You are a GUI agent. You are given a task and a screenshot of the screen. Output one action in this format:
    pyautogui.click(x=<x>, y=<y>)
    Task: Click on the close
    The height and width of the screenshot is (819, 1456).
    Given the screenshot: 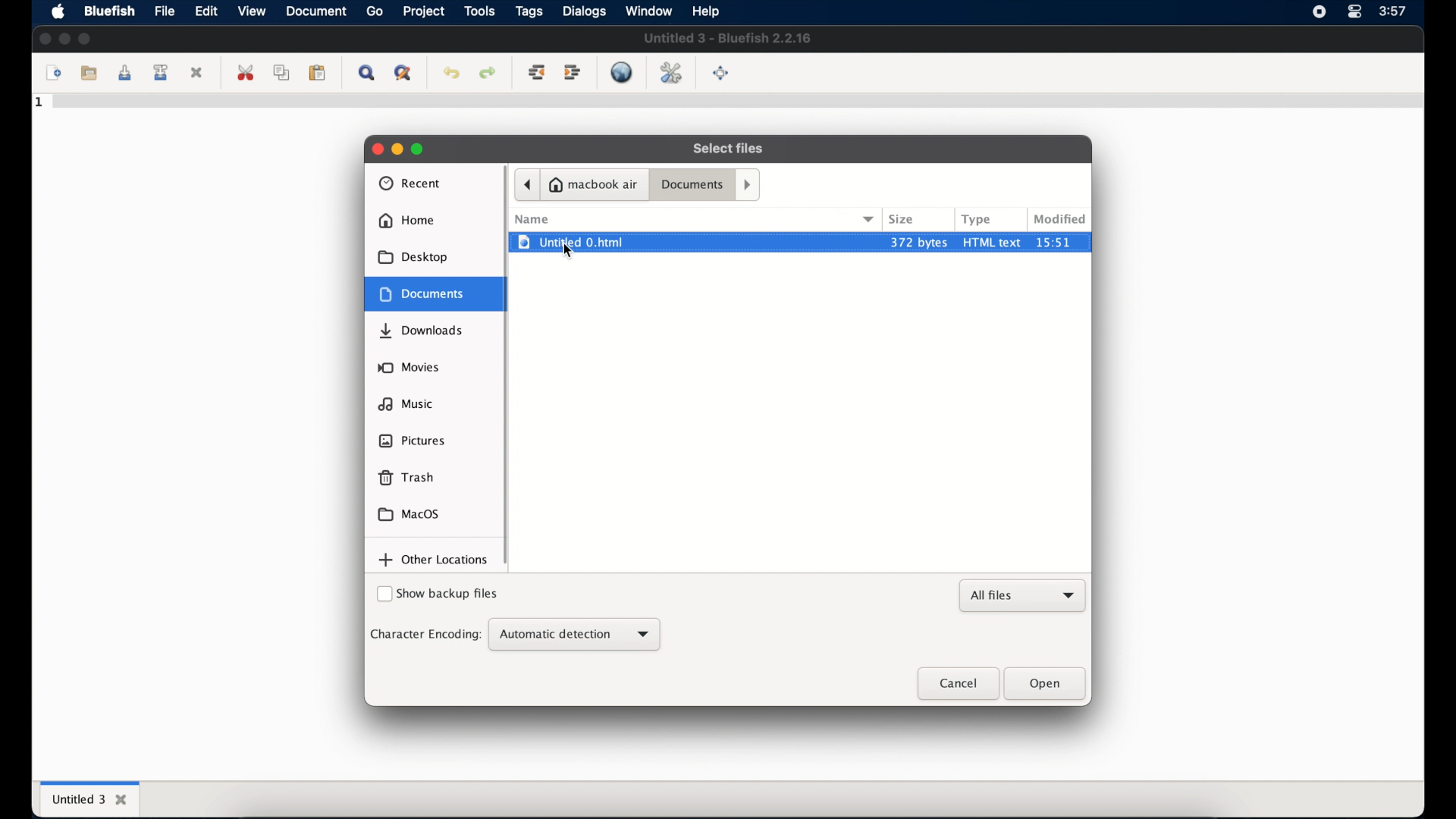 What is the action you would take?
    pyautogui.click(x=375, y=148)
    